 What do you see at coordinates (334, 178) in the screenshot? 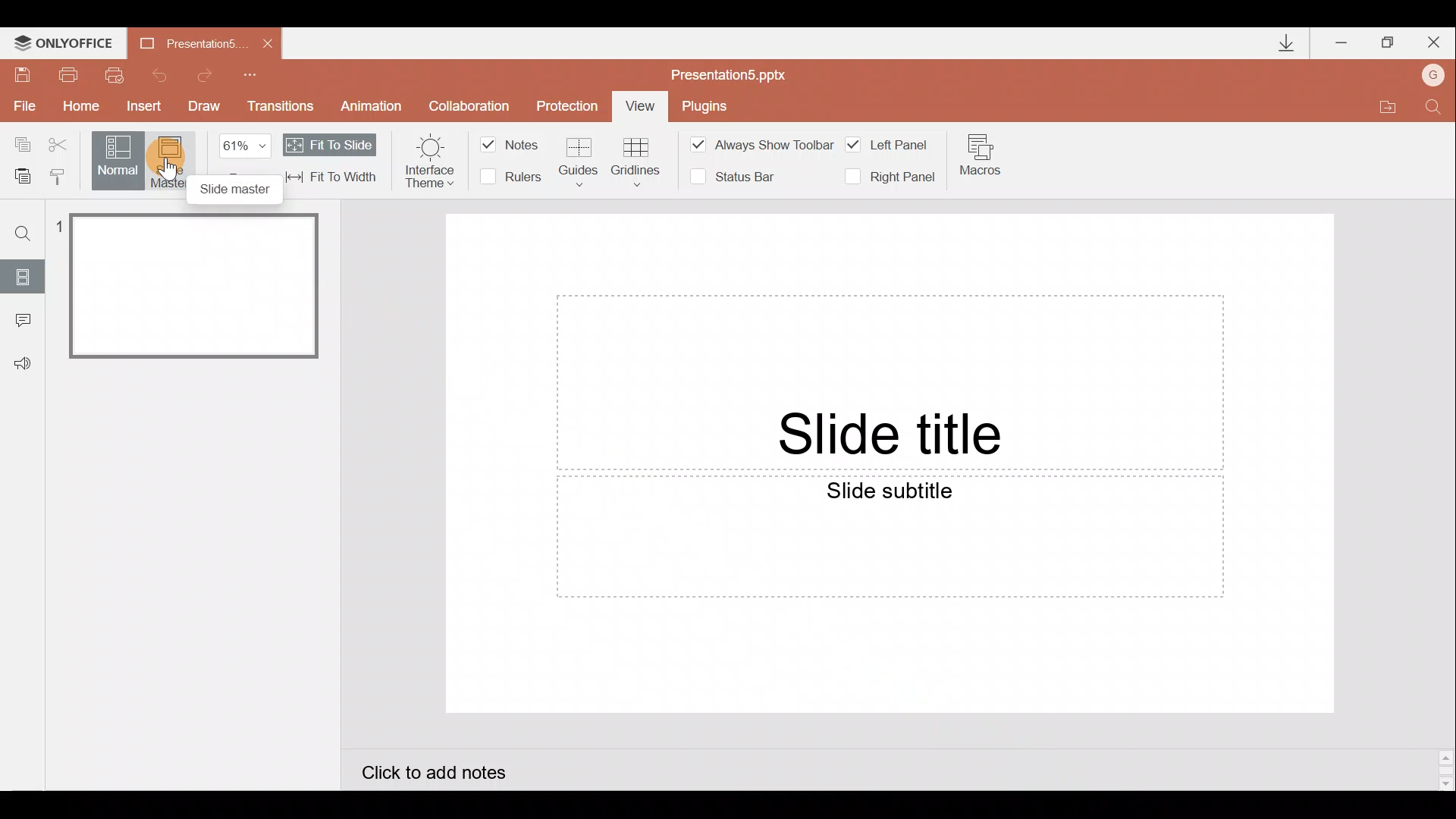
I see `Fit to width` at bounding box center [334, 178].